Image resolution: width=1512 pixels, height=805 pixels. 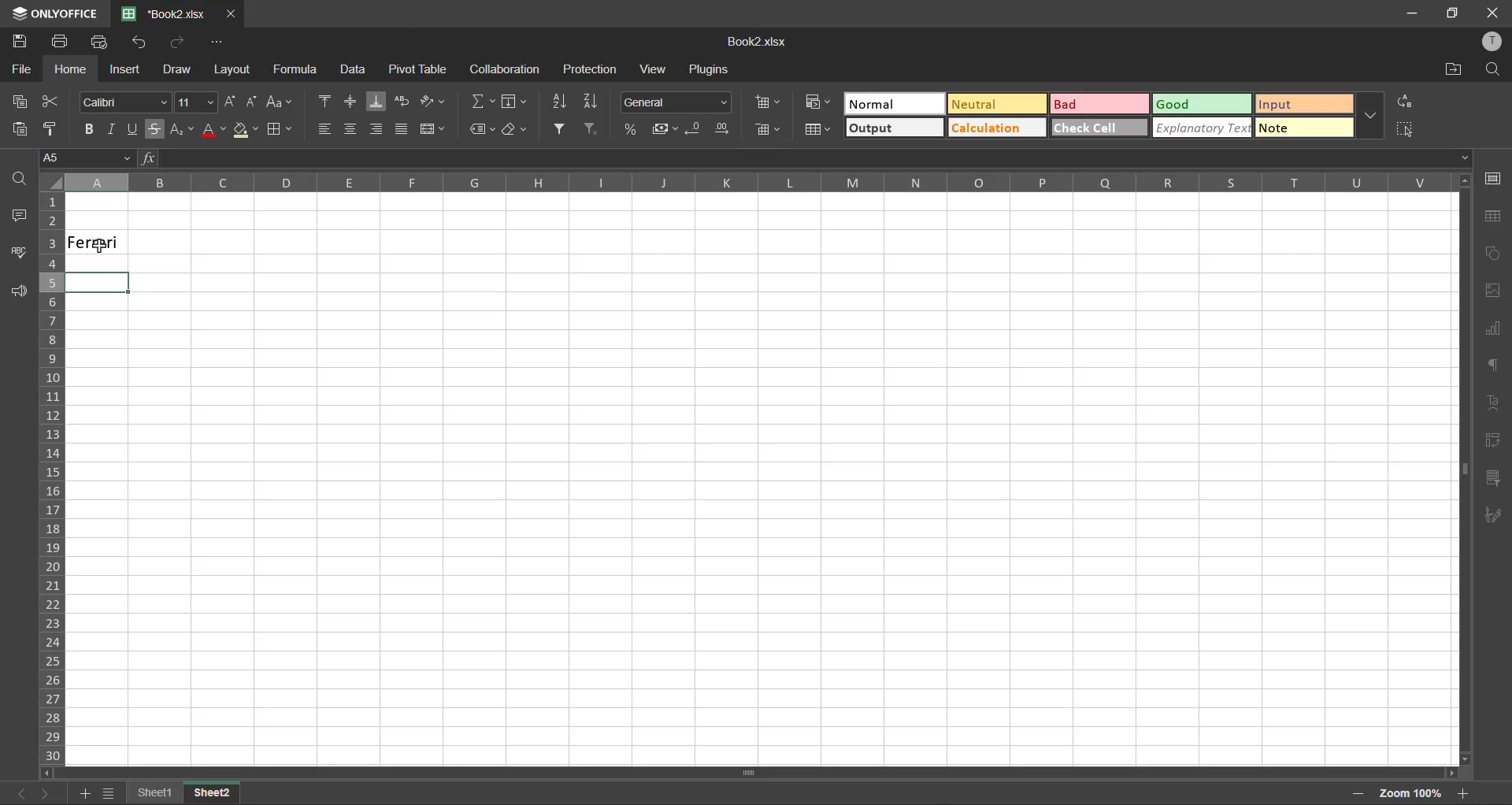 What do you see at coordinates (126, 71) in the screenshot?
I see `insert` at bounding box center [126, 71].